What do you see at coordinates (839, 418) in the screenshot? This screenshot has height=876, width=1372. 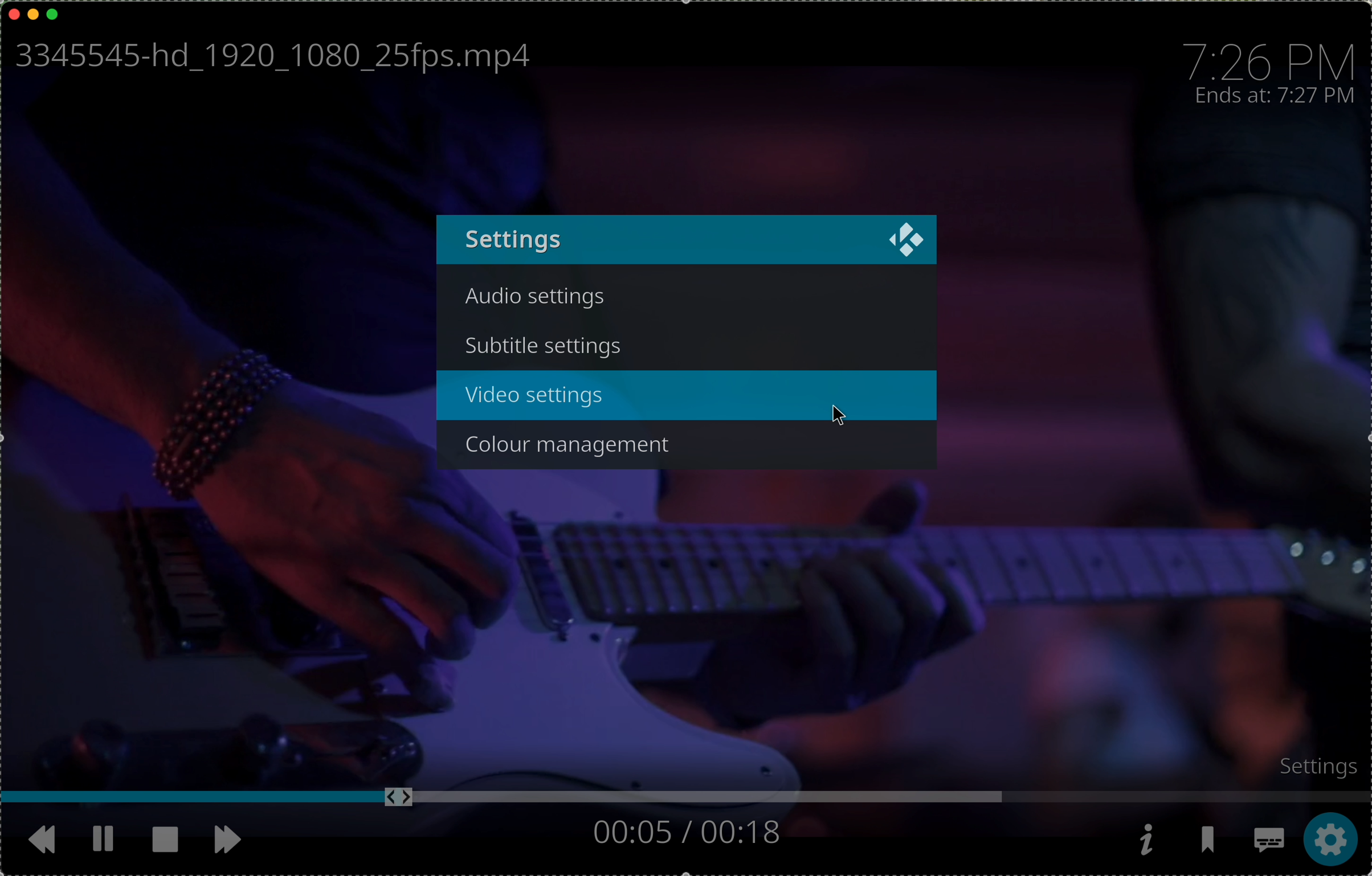 I see `cursor` at bounding box center [839, 418].